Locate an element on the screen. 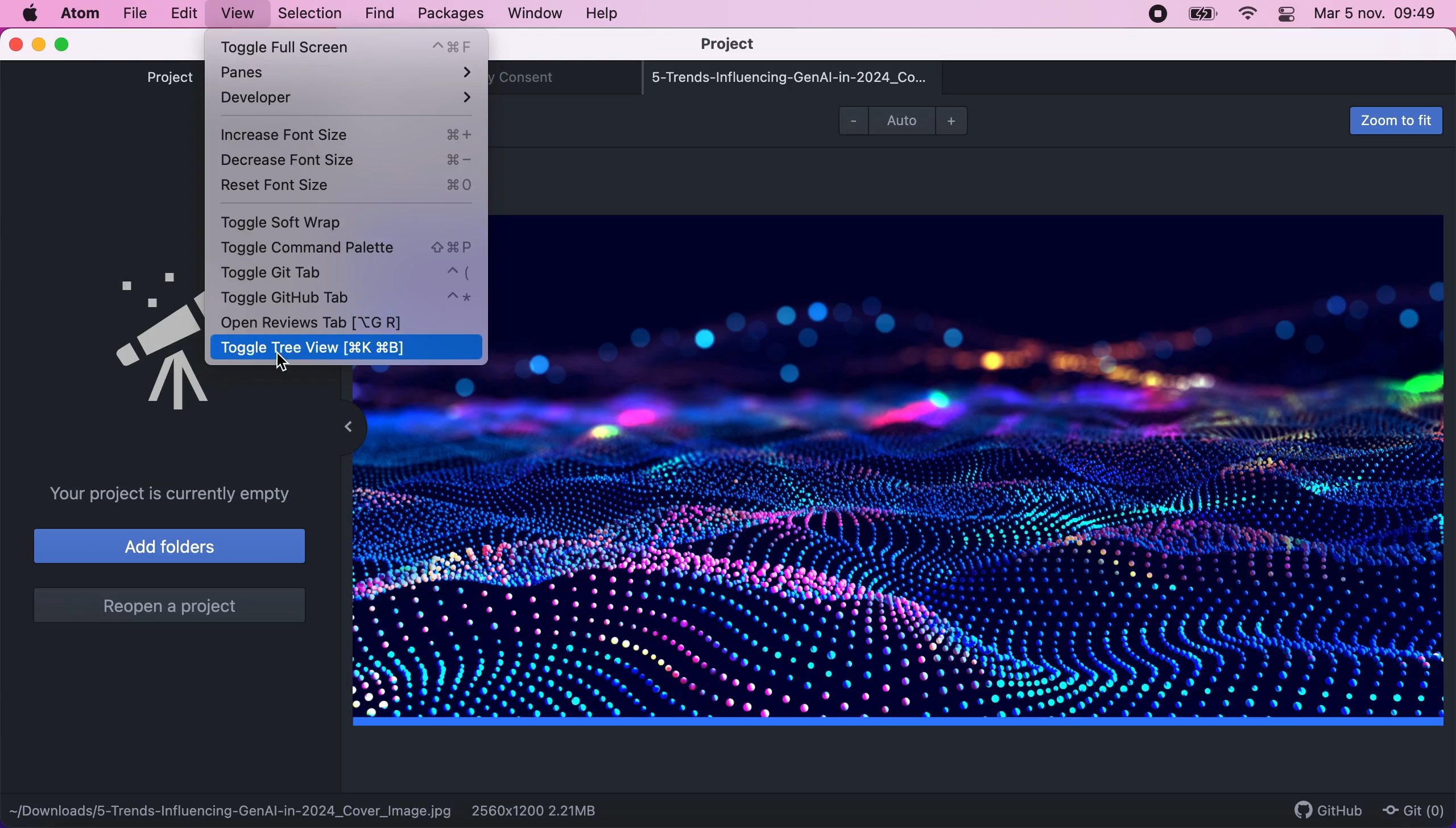 Image resolution: width=1456 pixels, height=828 pixels. toggle git tab is located at coordinates (348, 274).